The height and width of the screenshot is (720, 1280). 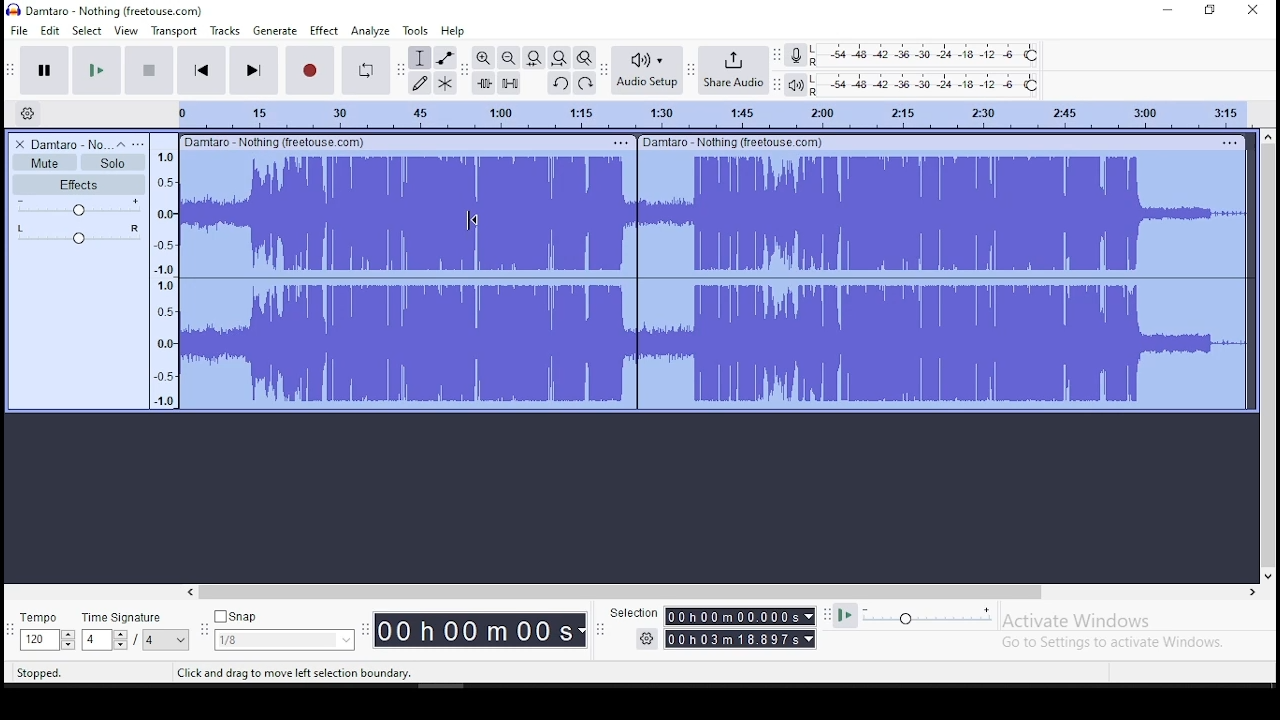 I want to click on tools, so click(x=413, y=30).